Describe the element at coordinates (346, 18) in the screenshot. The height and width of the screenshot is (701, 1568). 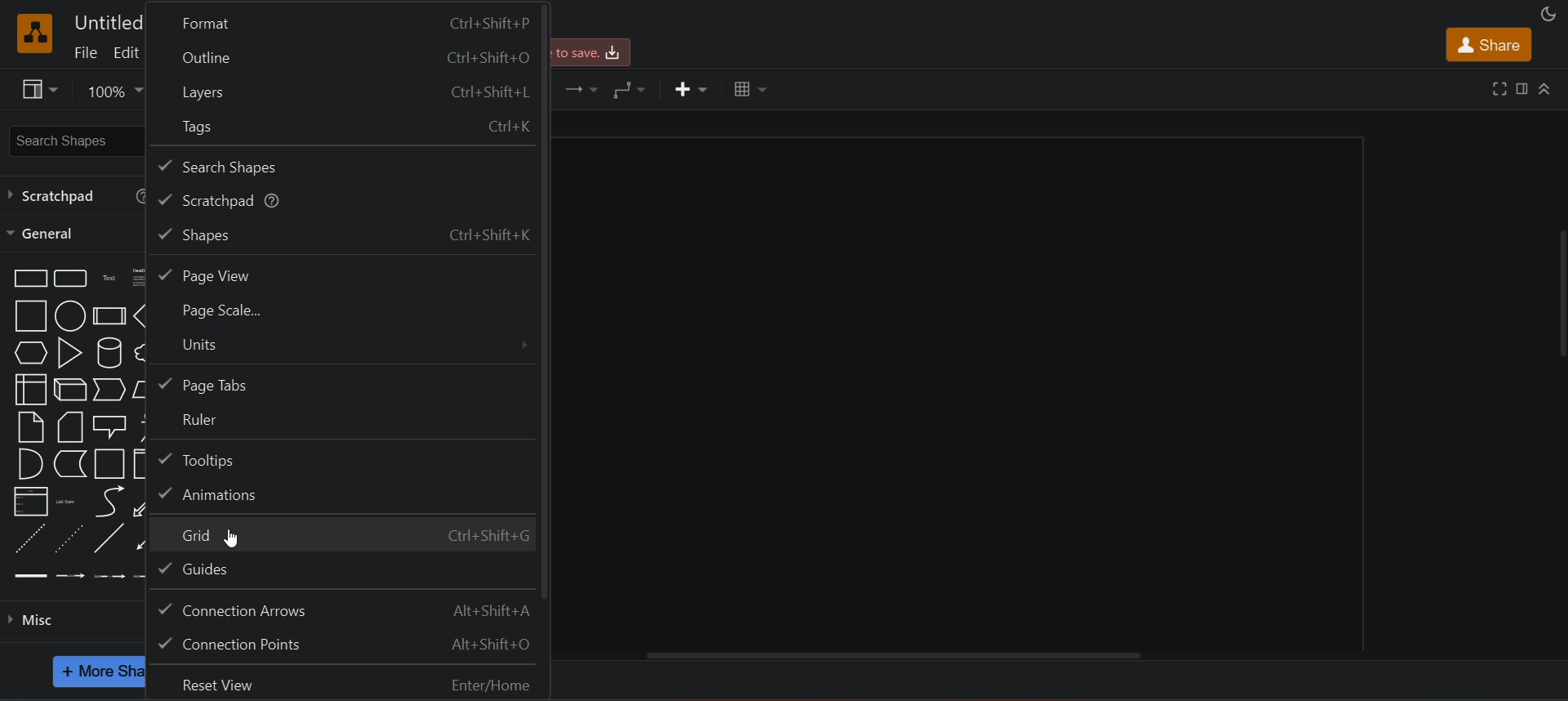
I see `format` at that location.